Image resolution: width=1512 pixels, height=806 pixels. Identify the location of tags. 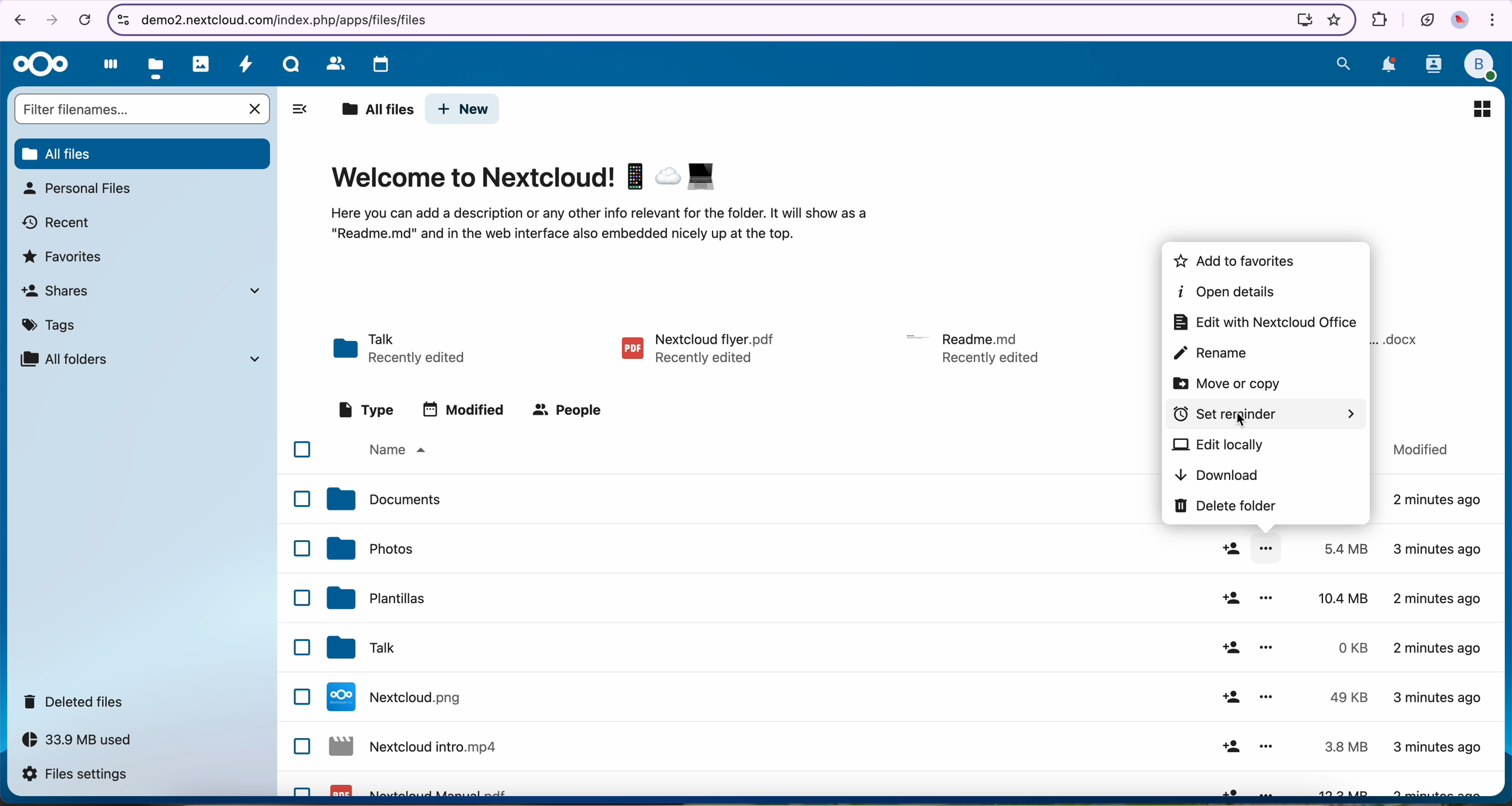
(49, 327).